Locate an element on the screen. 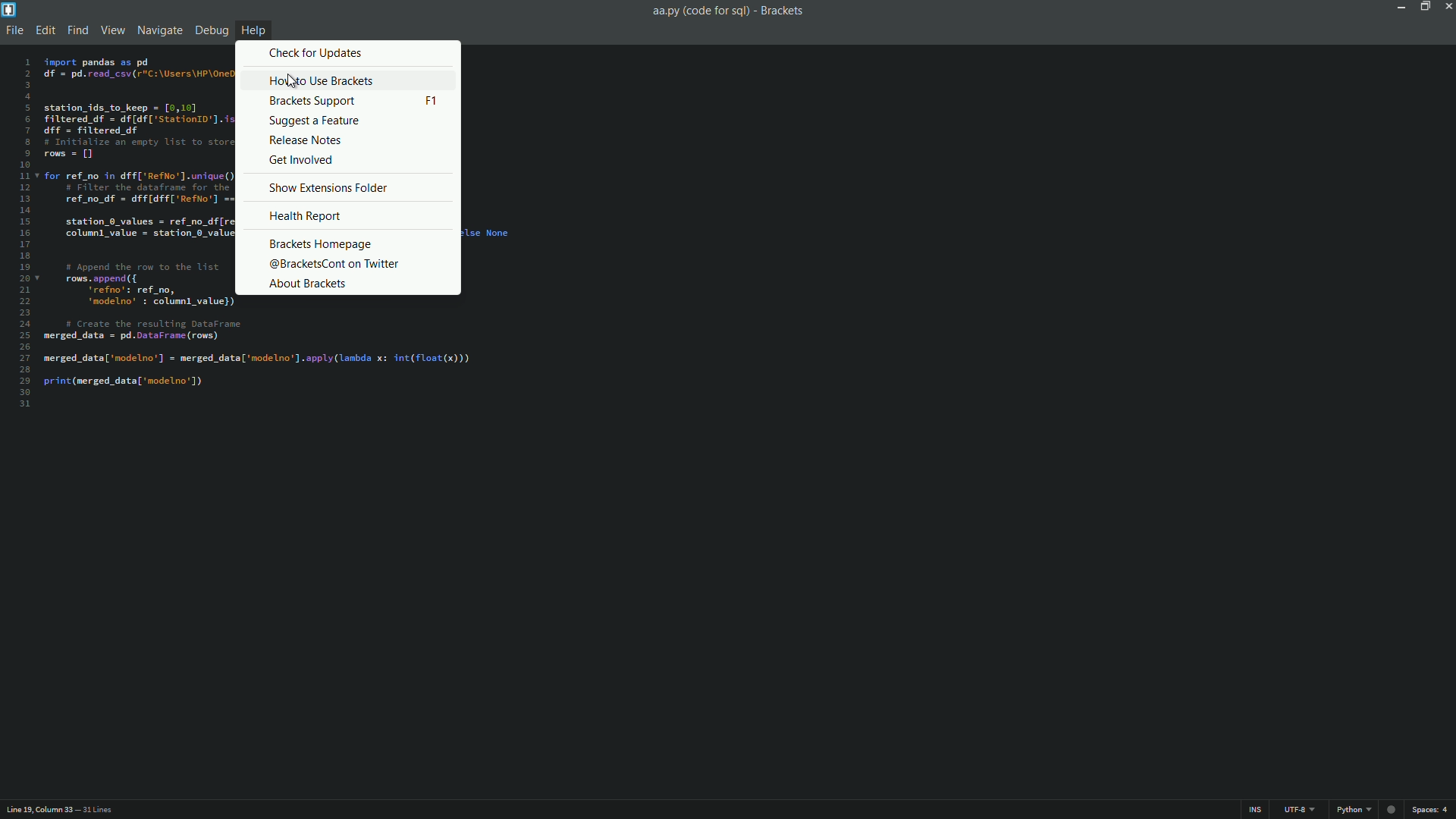  navigate menu is located at coordinates (160, 30).